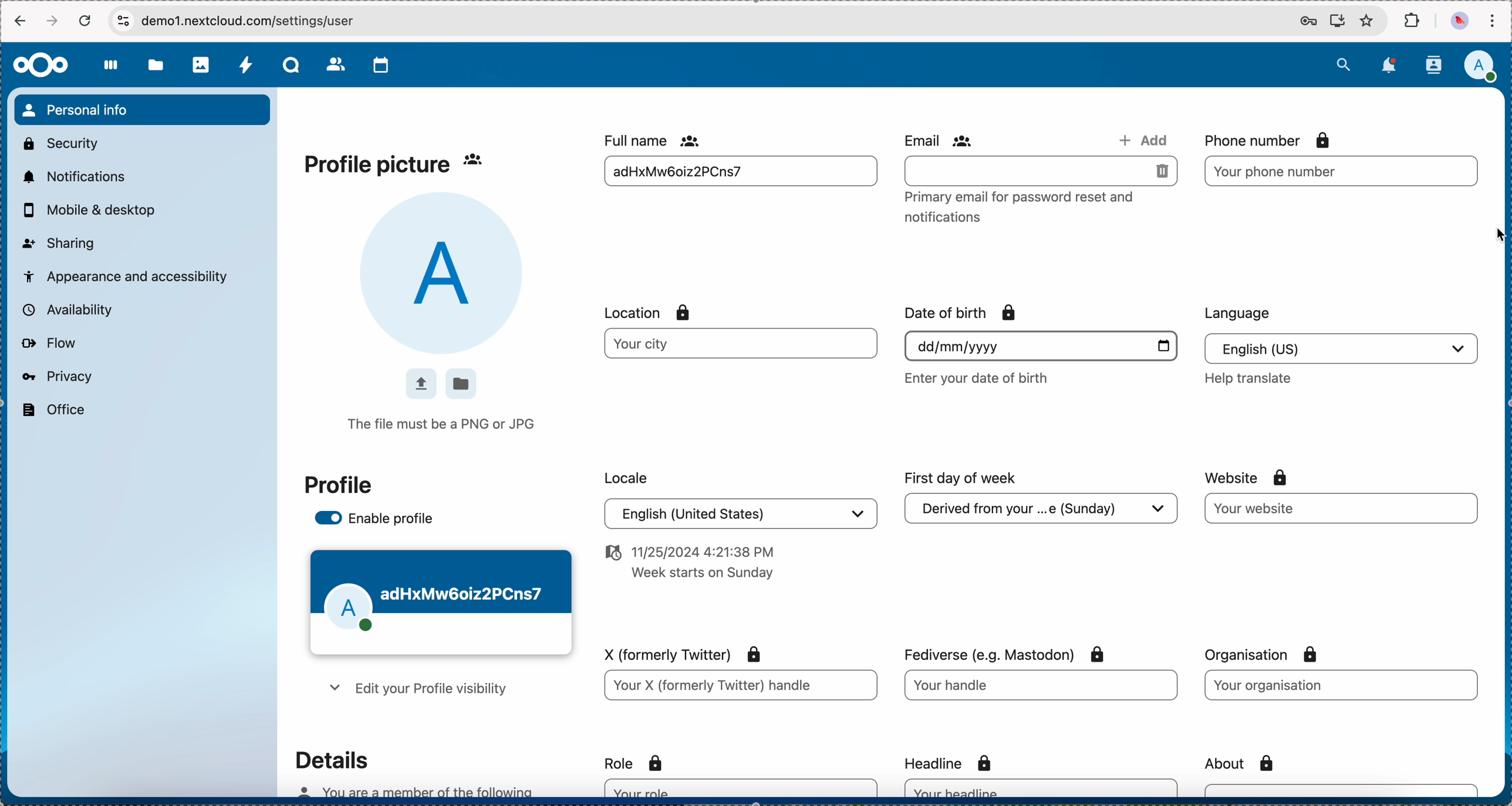 The height and width of the screenshot is (806, 1512). Describe the element at coordinates (54, 21) in the screenshot. I see `navigate foward` at that location.